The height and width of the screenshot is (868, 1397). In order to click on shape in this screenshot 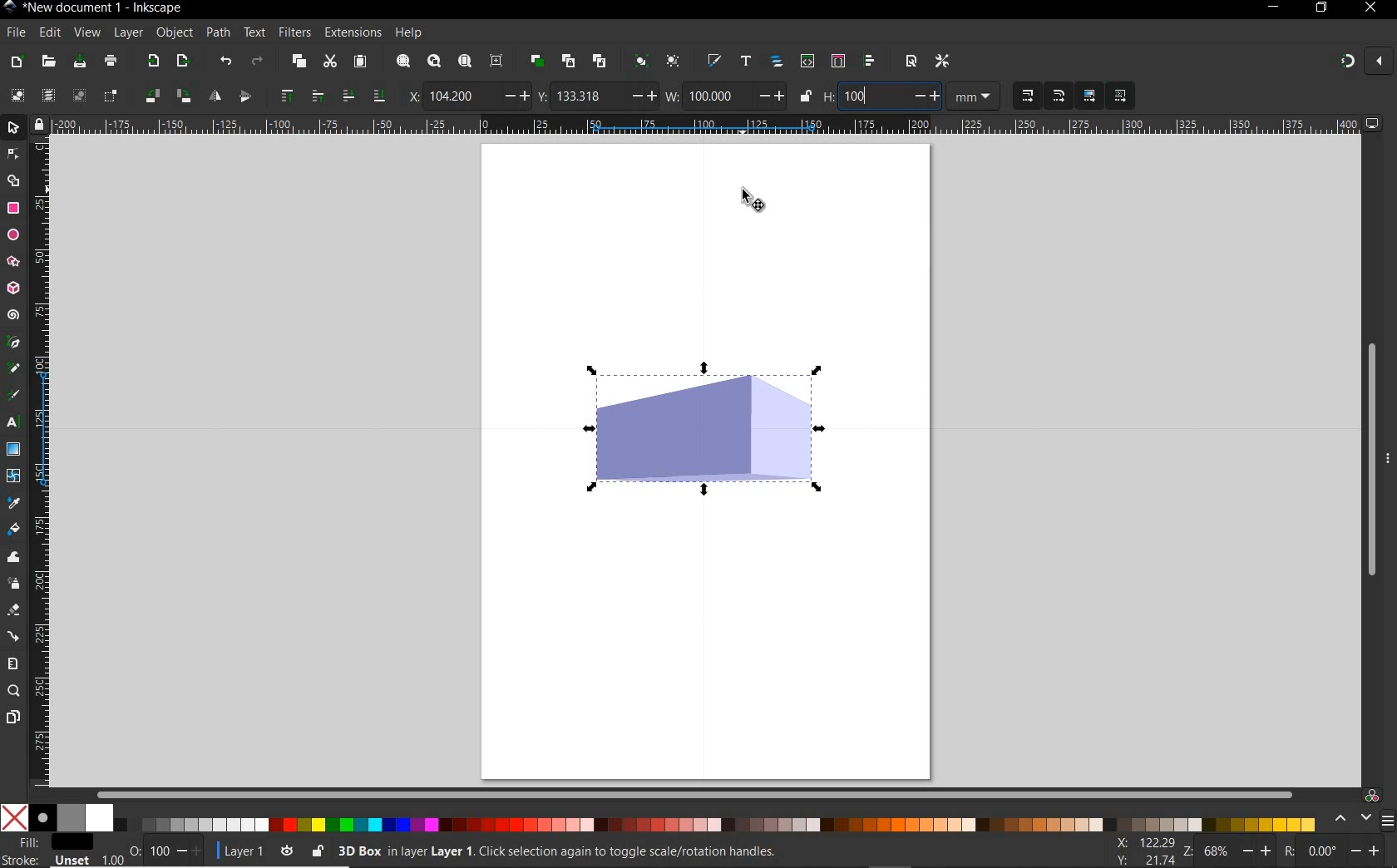, I will do `click(708, 430)`.